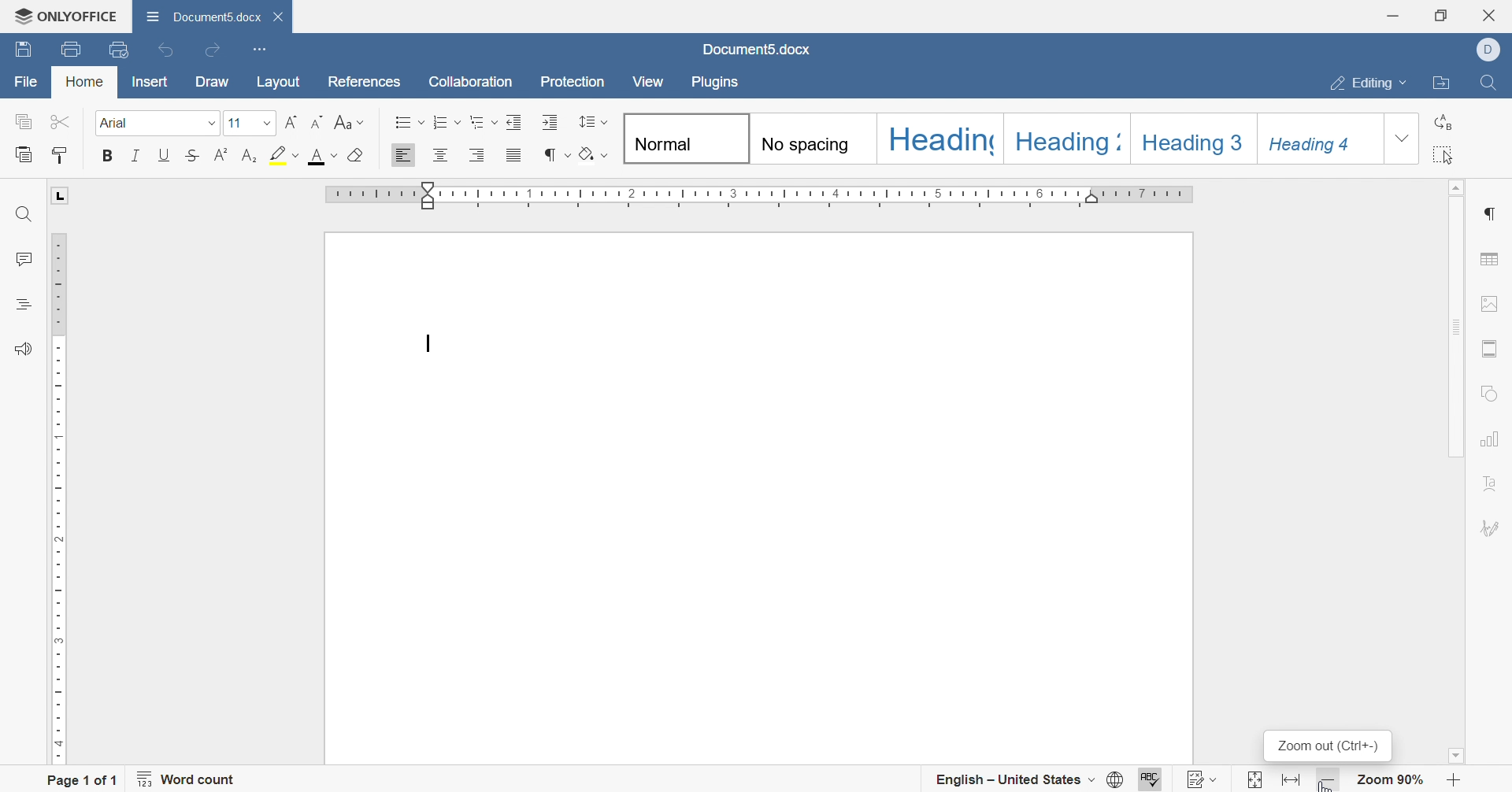 This screenshot has height=792, width=1512. What do you see at coordinates (1292, 781) in the screenshot?
I see `fit to width` at bounding box center [1292, 781].